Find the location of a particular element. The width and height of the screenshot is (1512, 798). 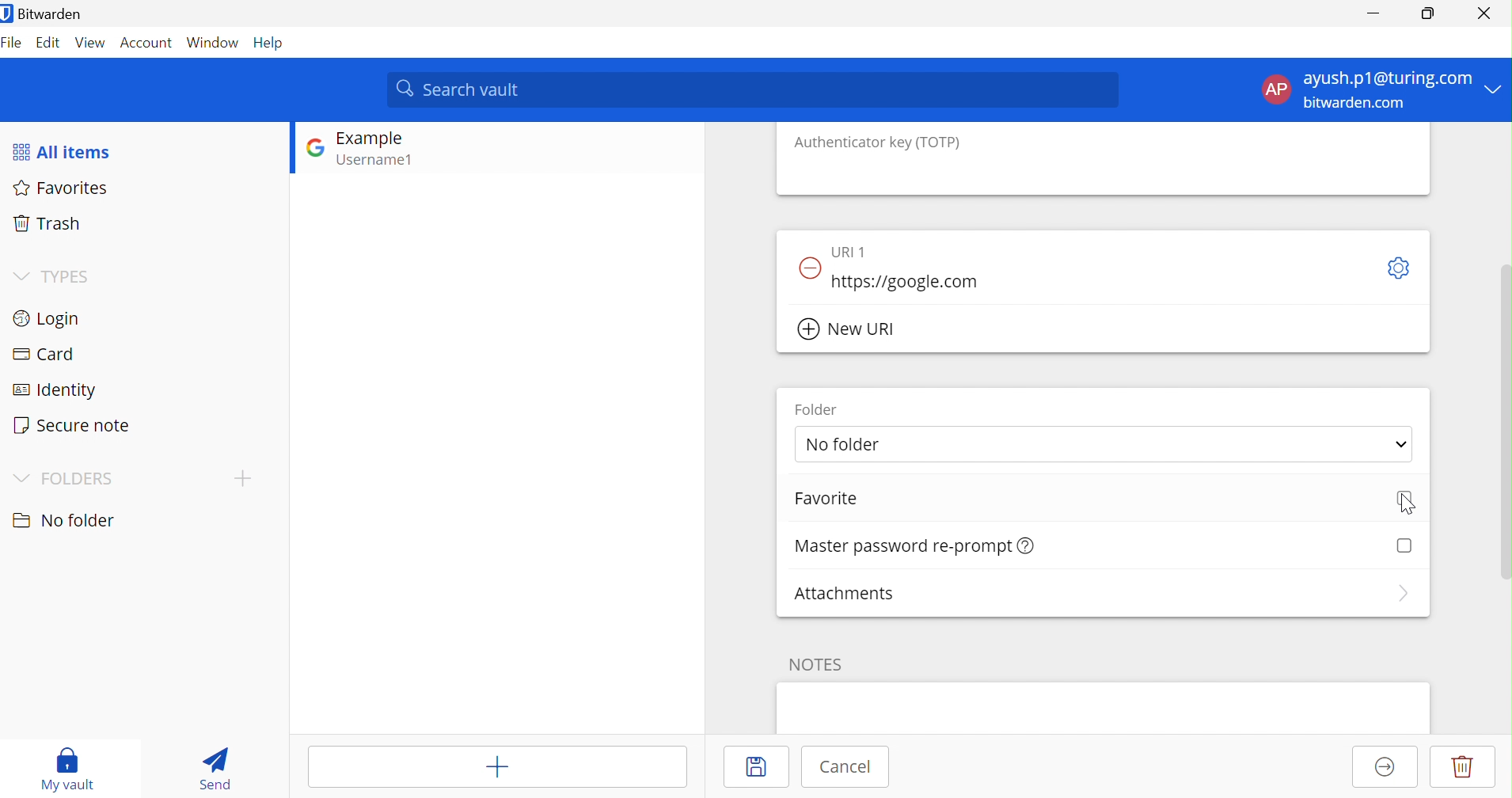

Folder is located at coordinates (814, 408).